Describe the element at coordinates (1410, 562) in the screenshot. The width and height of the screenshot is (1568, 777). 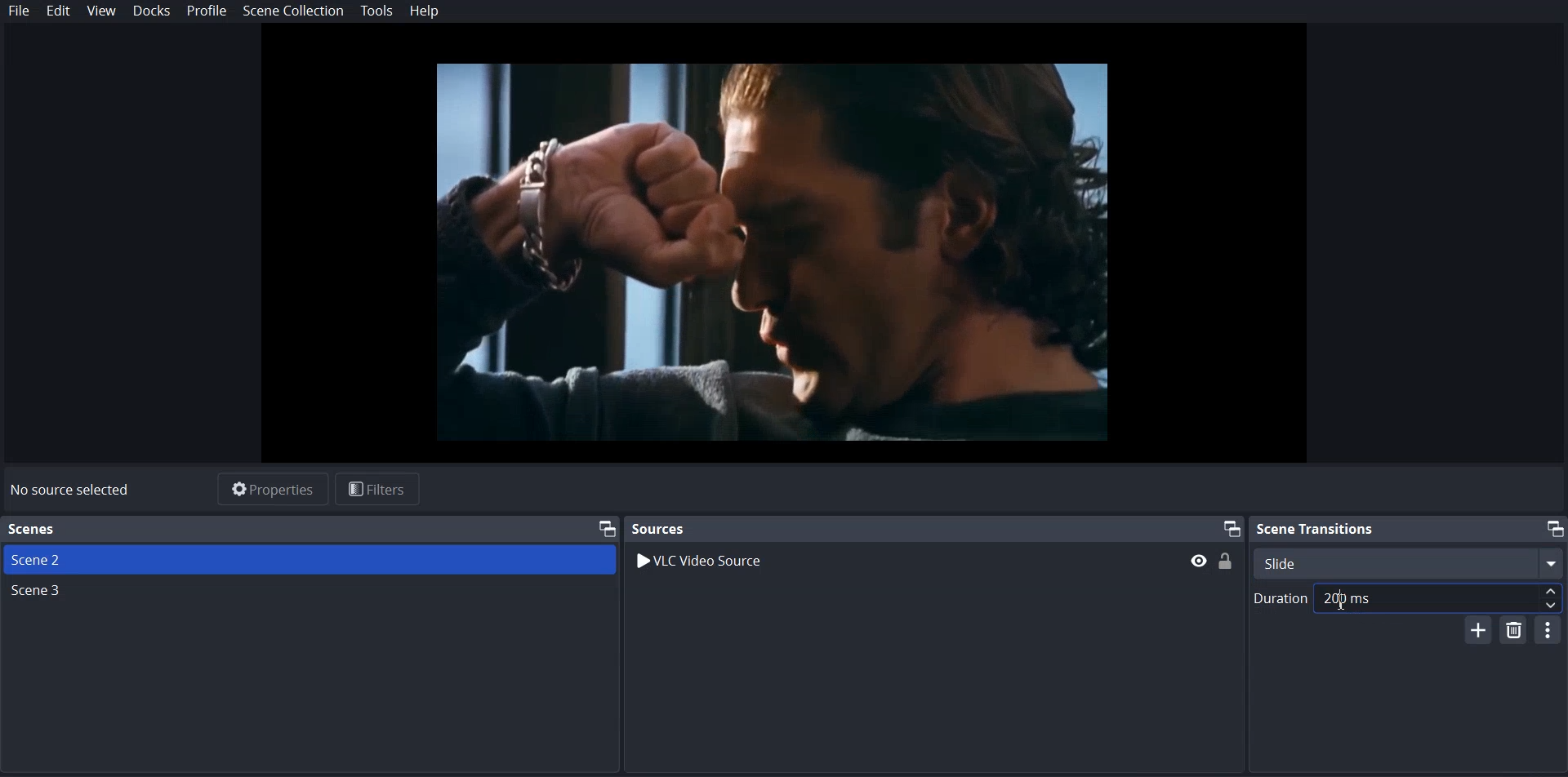
I see `Select Scene Transition` at that location.